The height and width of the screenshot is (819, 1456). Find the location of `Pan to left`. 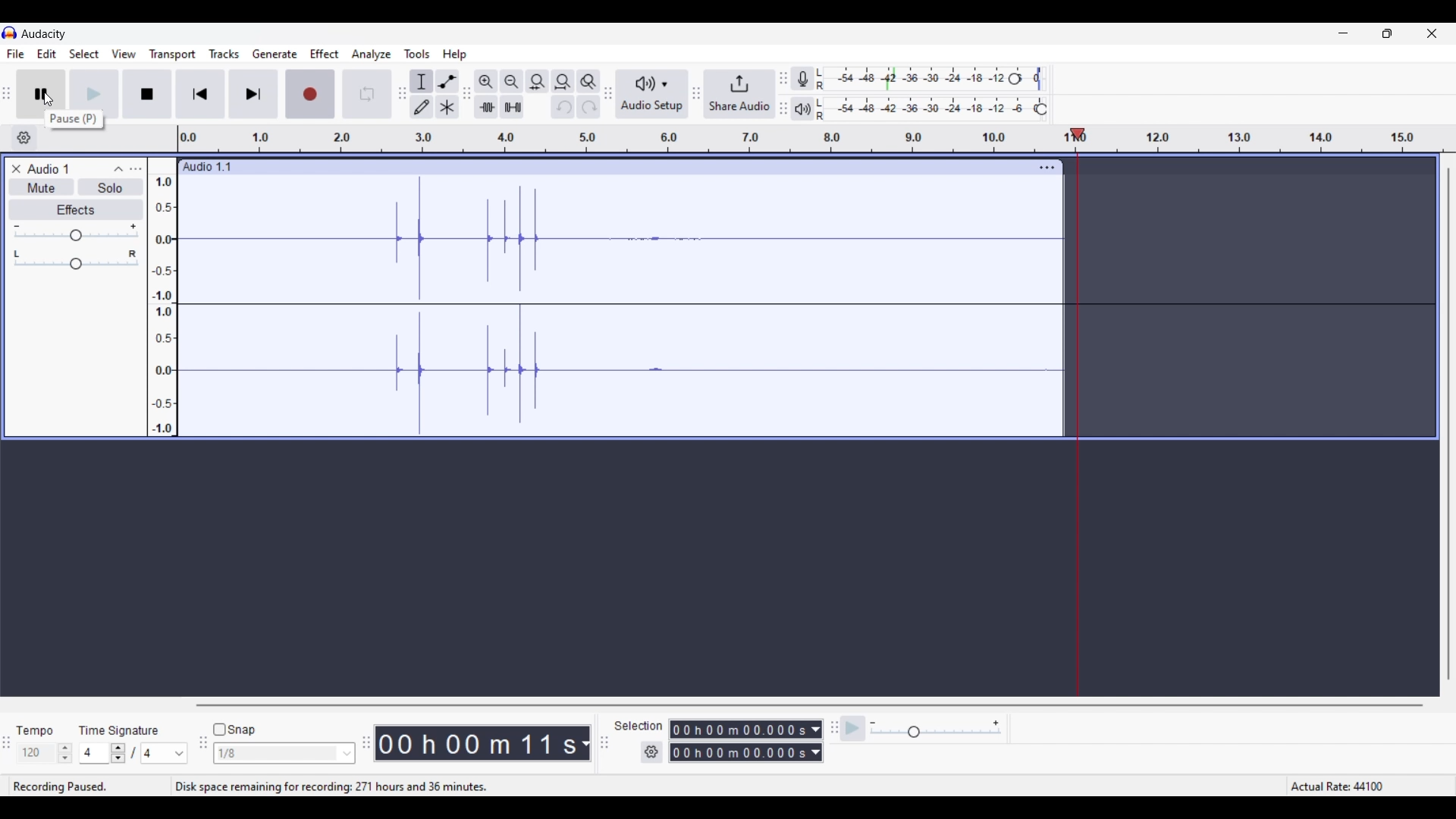

Pan to left is located at coordinates (16, 253).